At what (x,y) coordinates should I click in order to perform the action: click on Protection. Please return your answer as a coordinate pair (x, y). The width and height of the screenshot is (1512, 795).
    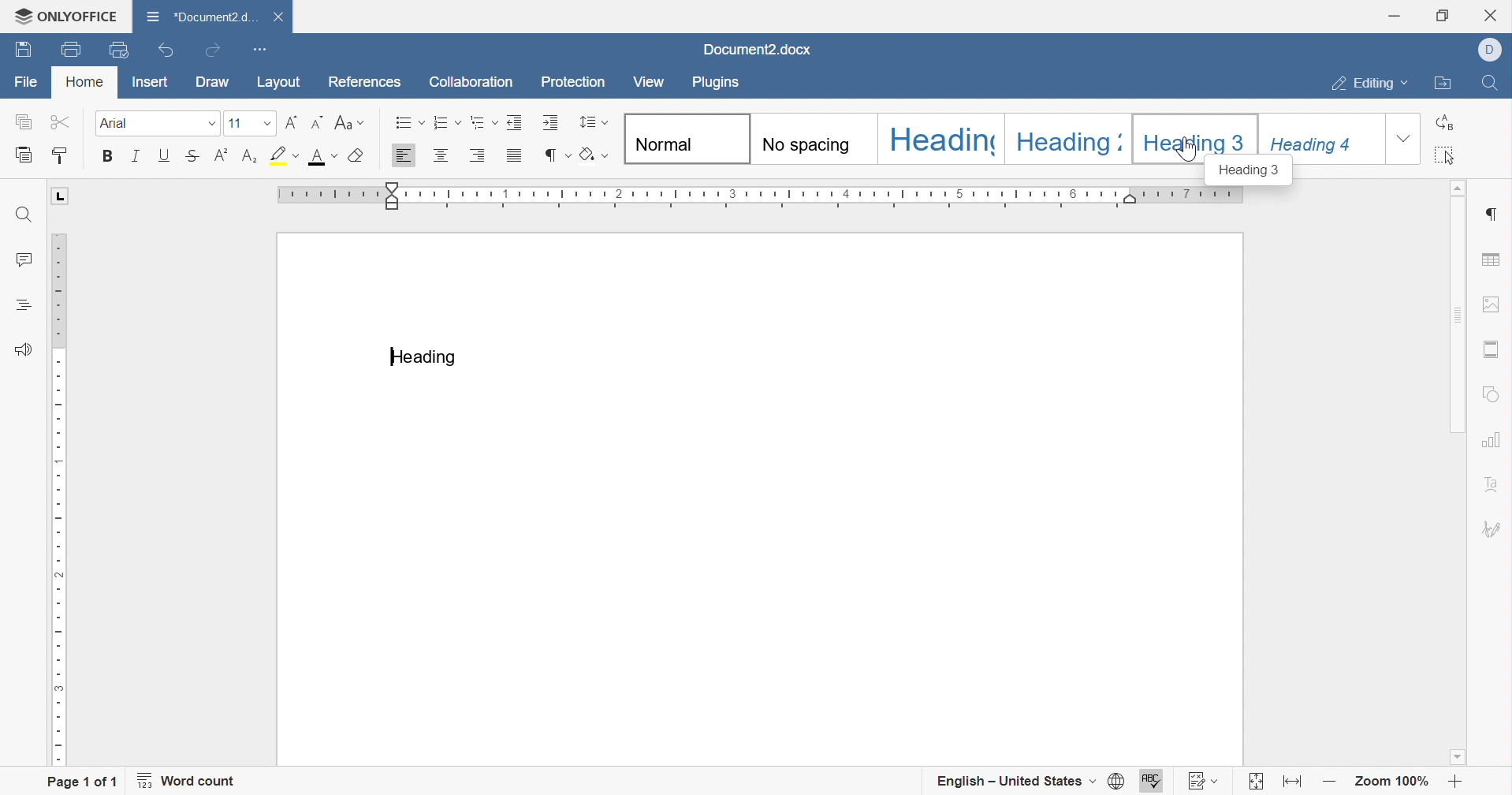
    Looking at the image, I should click on (574, 82).